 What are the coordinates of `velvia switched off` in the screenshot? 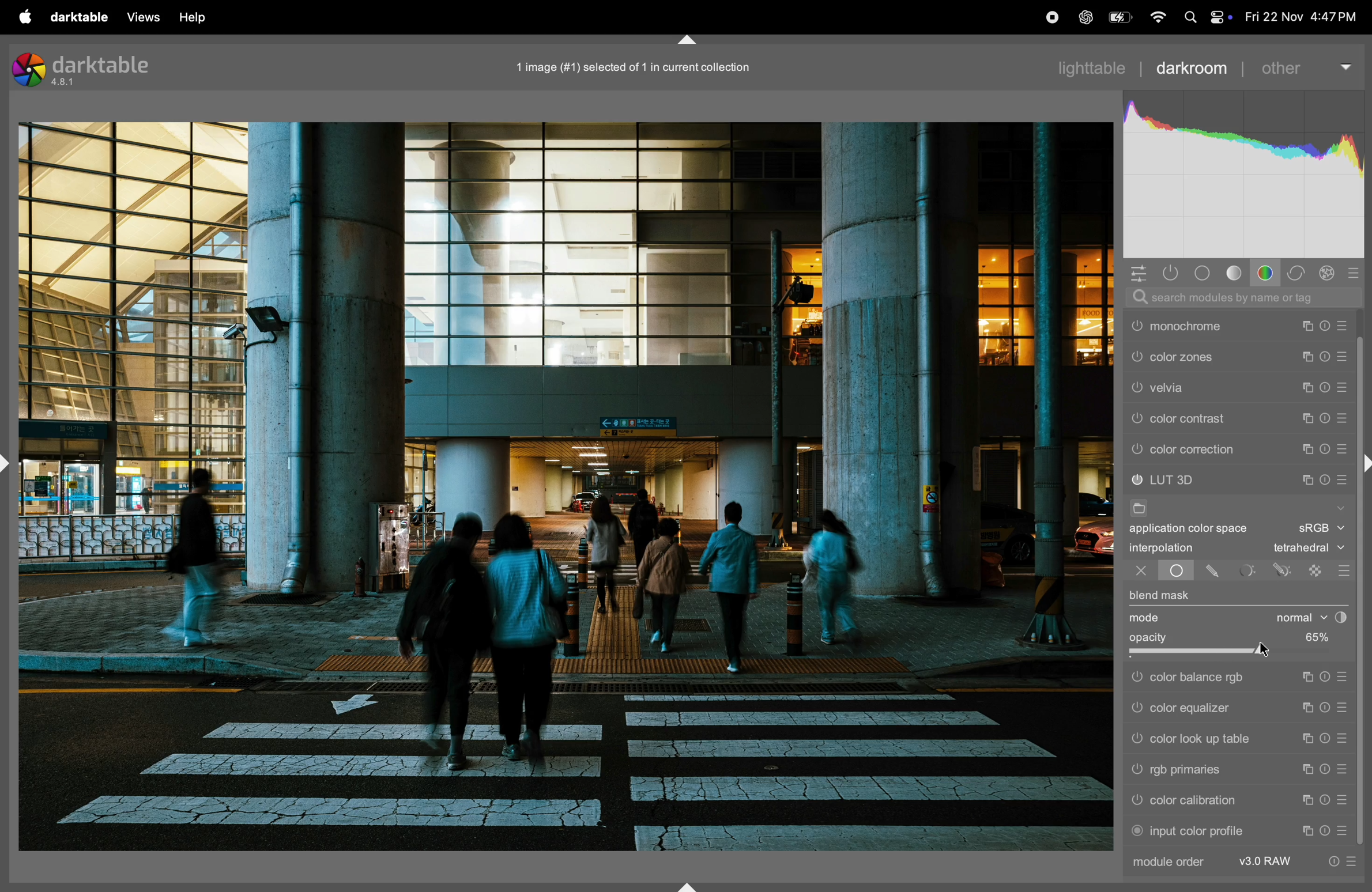 It's located at (1136, 417).